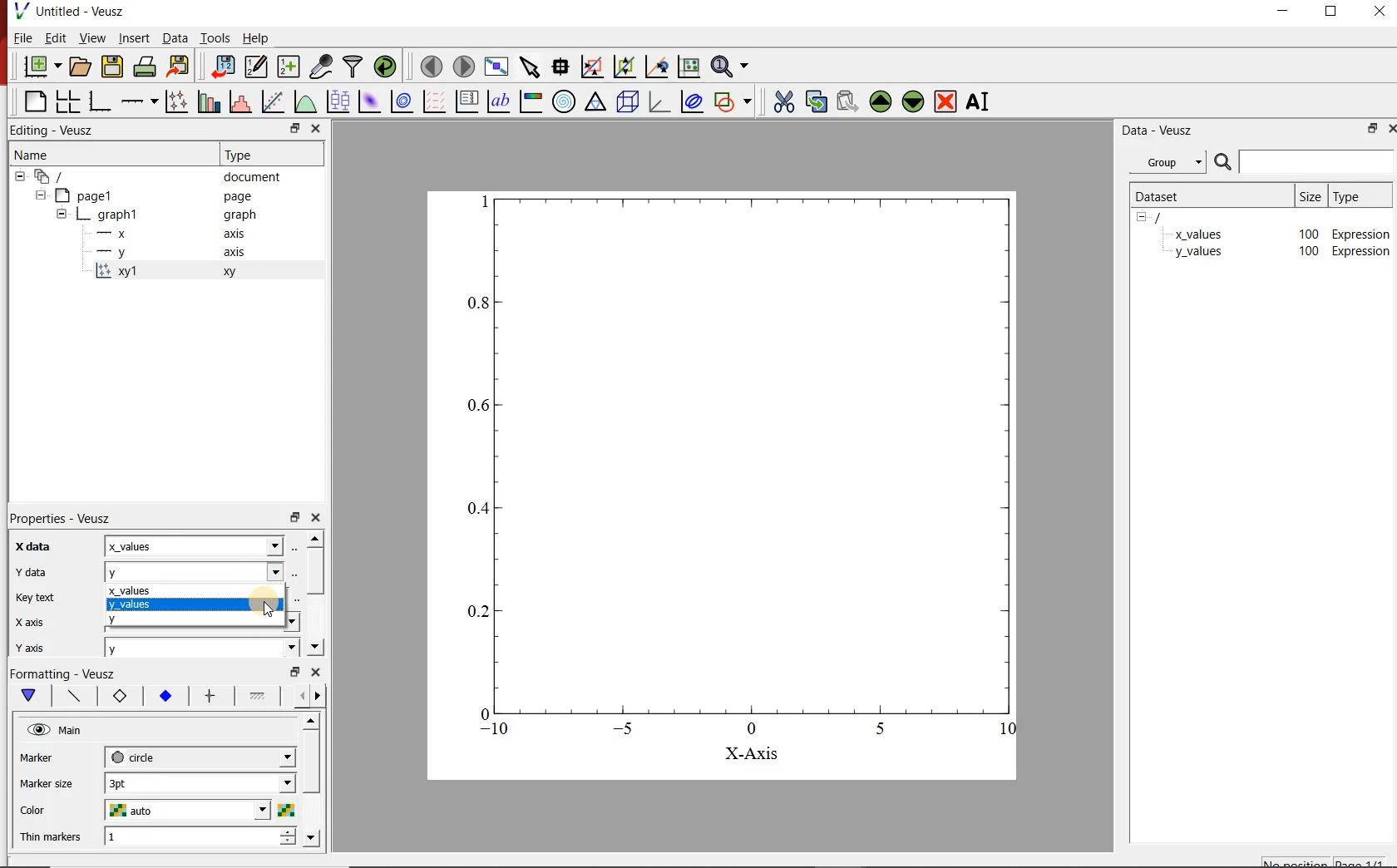  I want to click on vertical scrollbar, so click(316, 571).